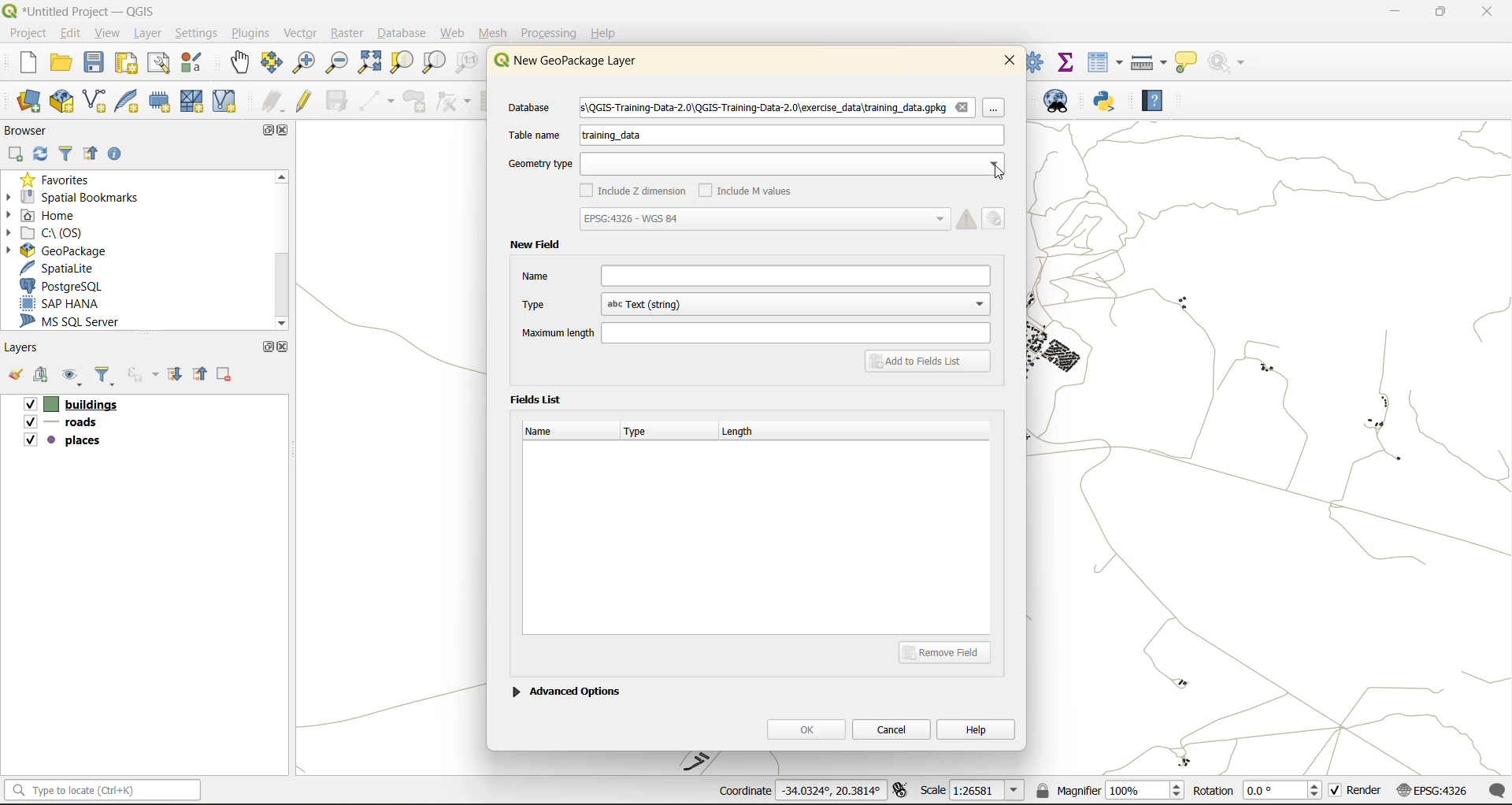 Image resolution: width=1512 pixels, height=805 pixels. I want to click on filter by expression, so click(145, 374).